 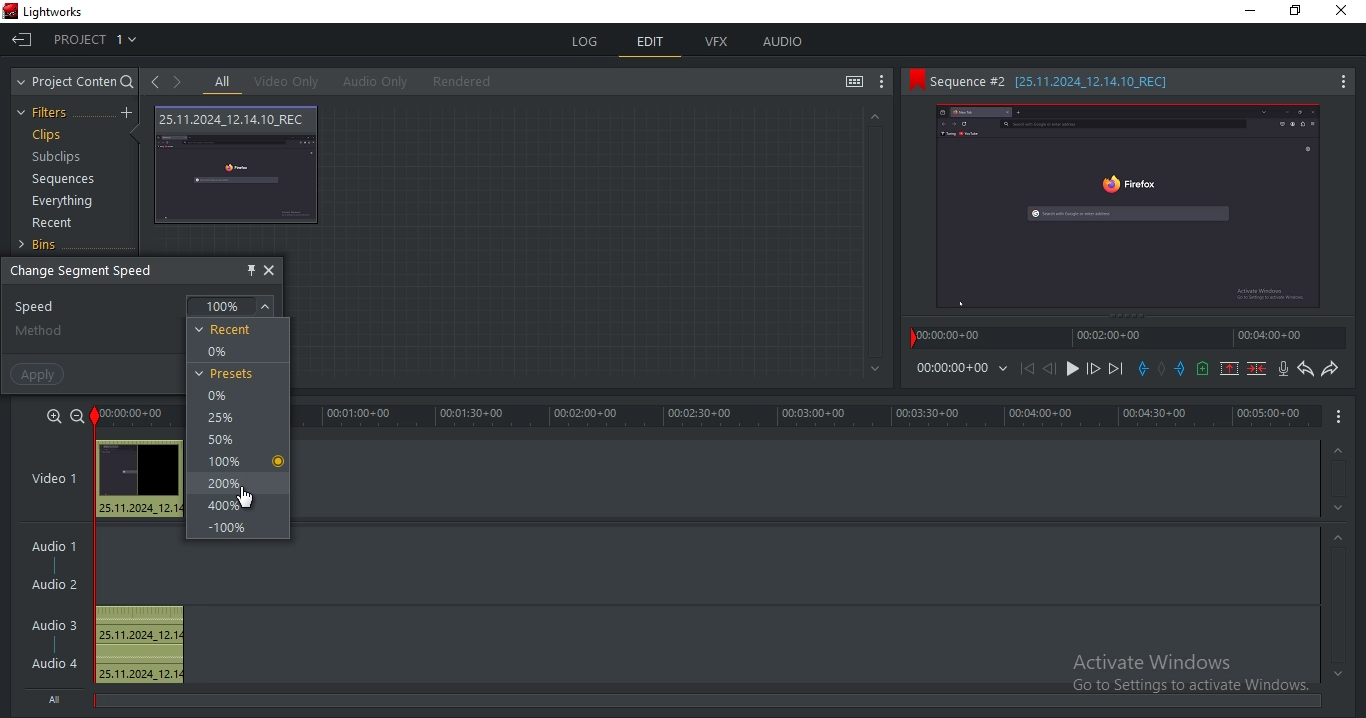 I want to click on log, so click(x=586, y=39).